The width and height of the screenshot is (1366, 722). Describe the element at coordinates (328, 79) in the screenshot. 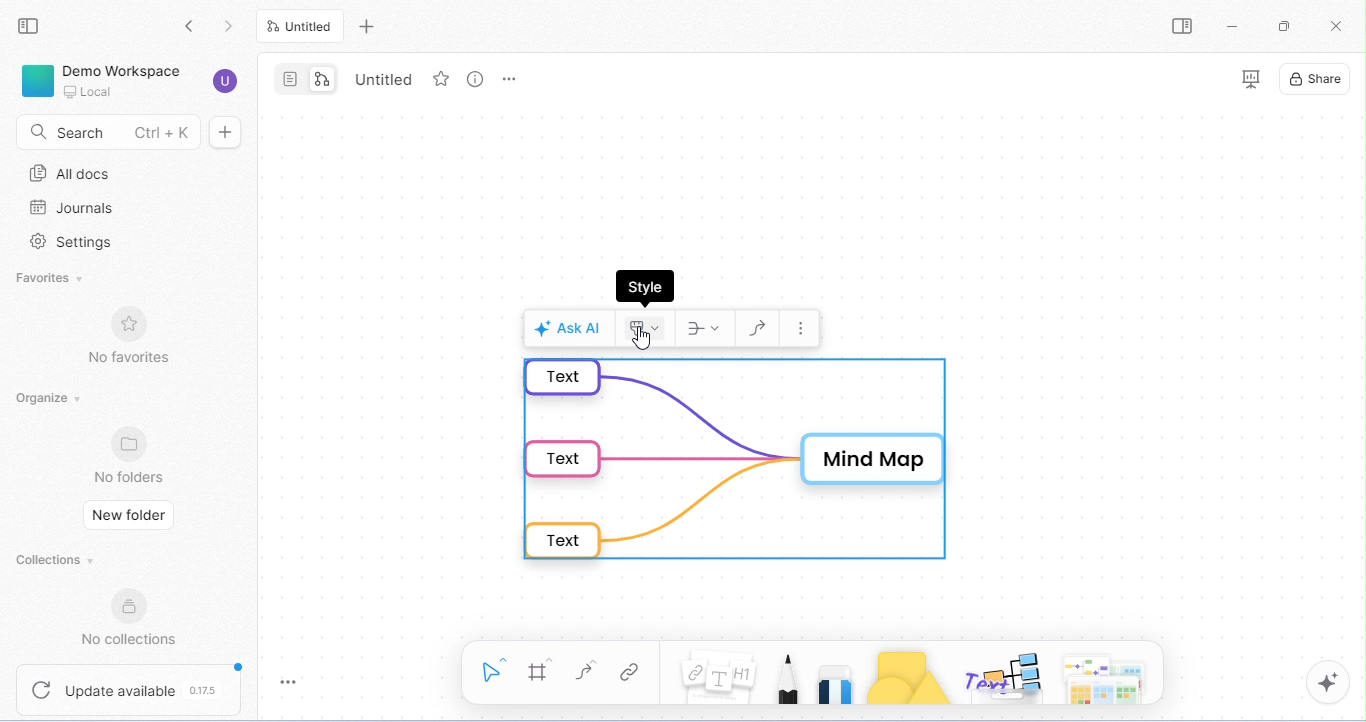

I see `edgeless` at that location.